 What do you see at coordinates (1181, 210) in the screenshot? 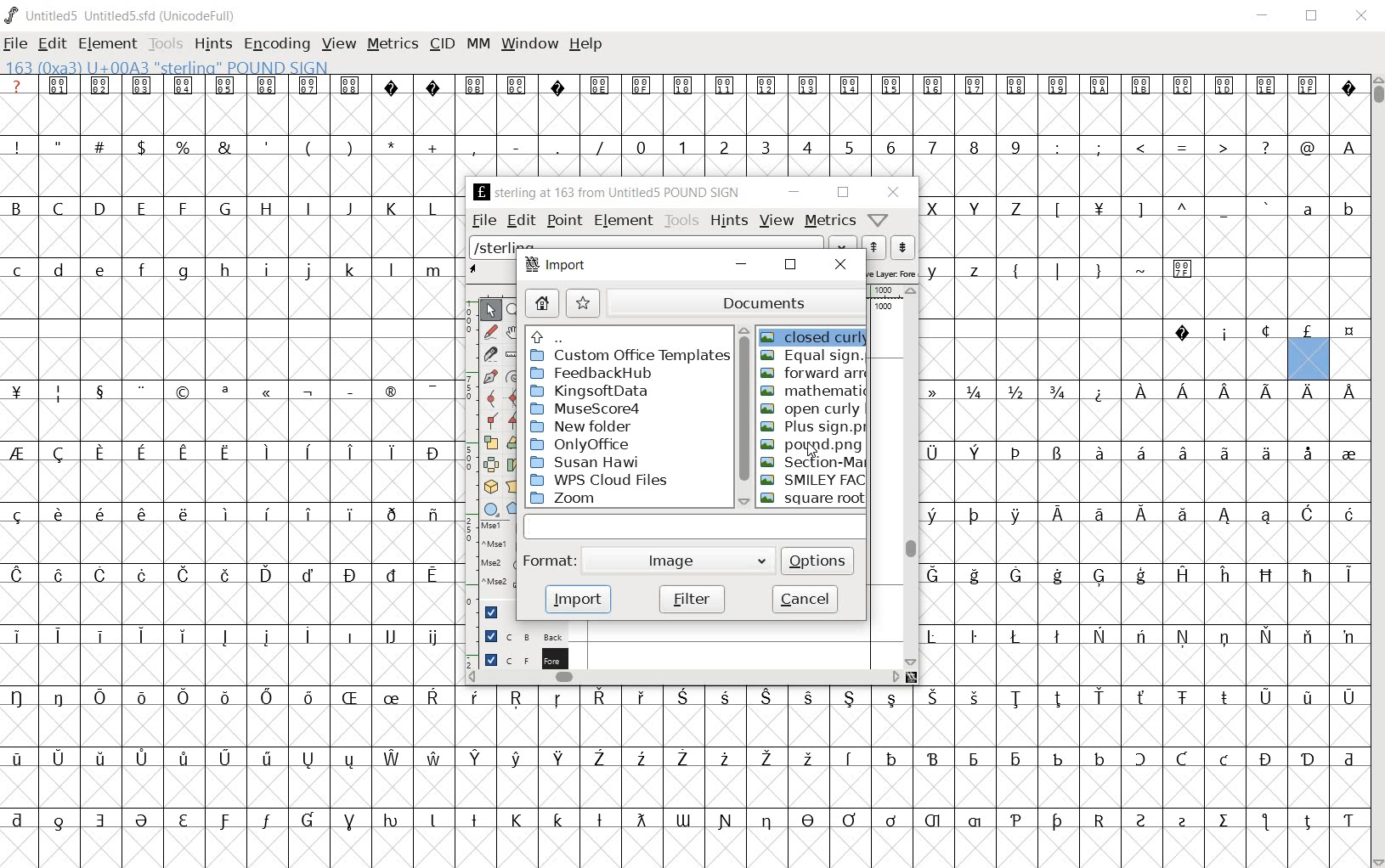
I see `^` at bounding box center [1181, 210].